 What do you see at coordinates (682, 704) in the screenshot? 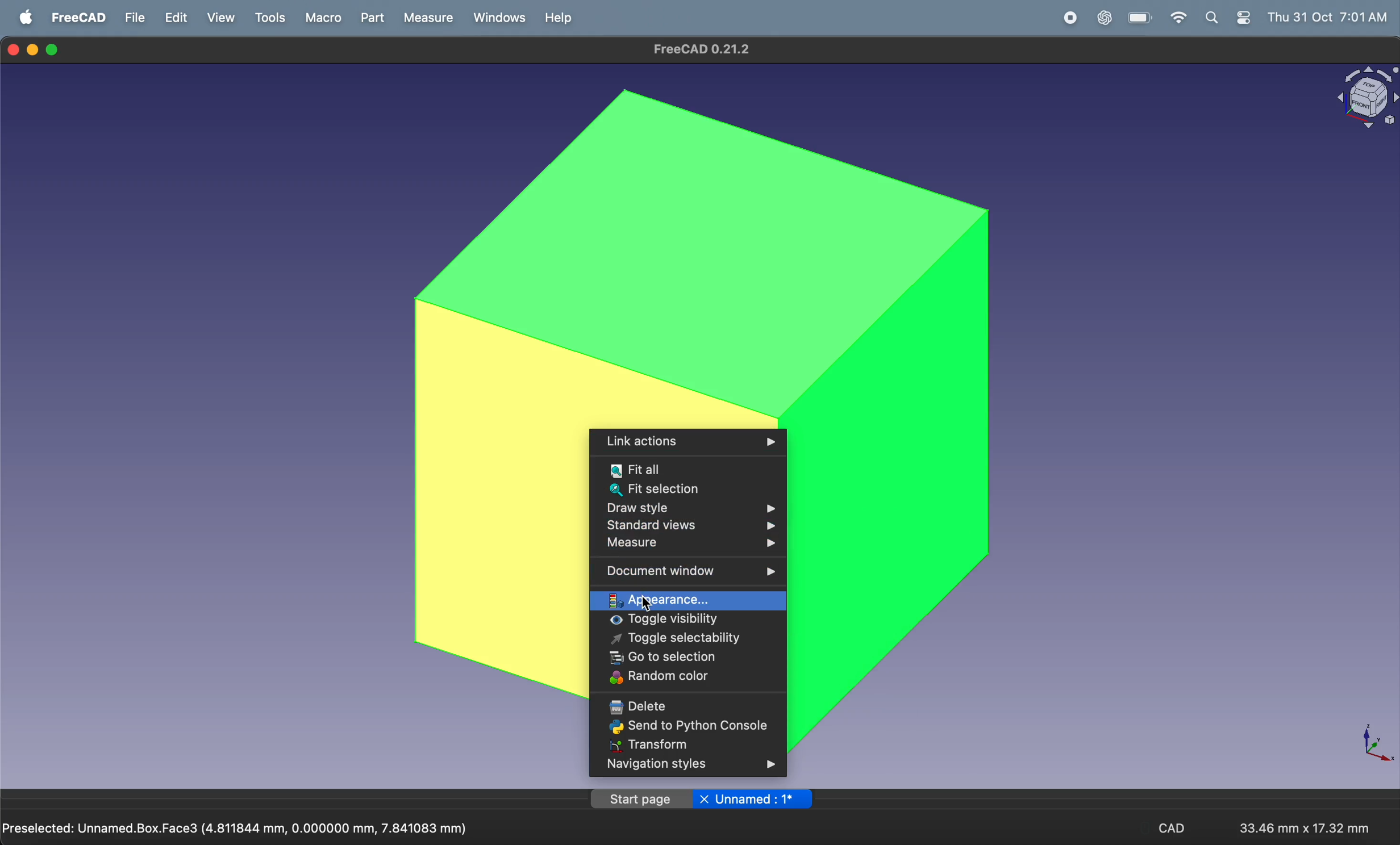
I see `delete` at bounding box center [682, 704].